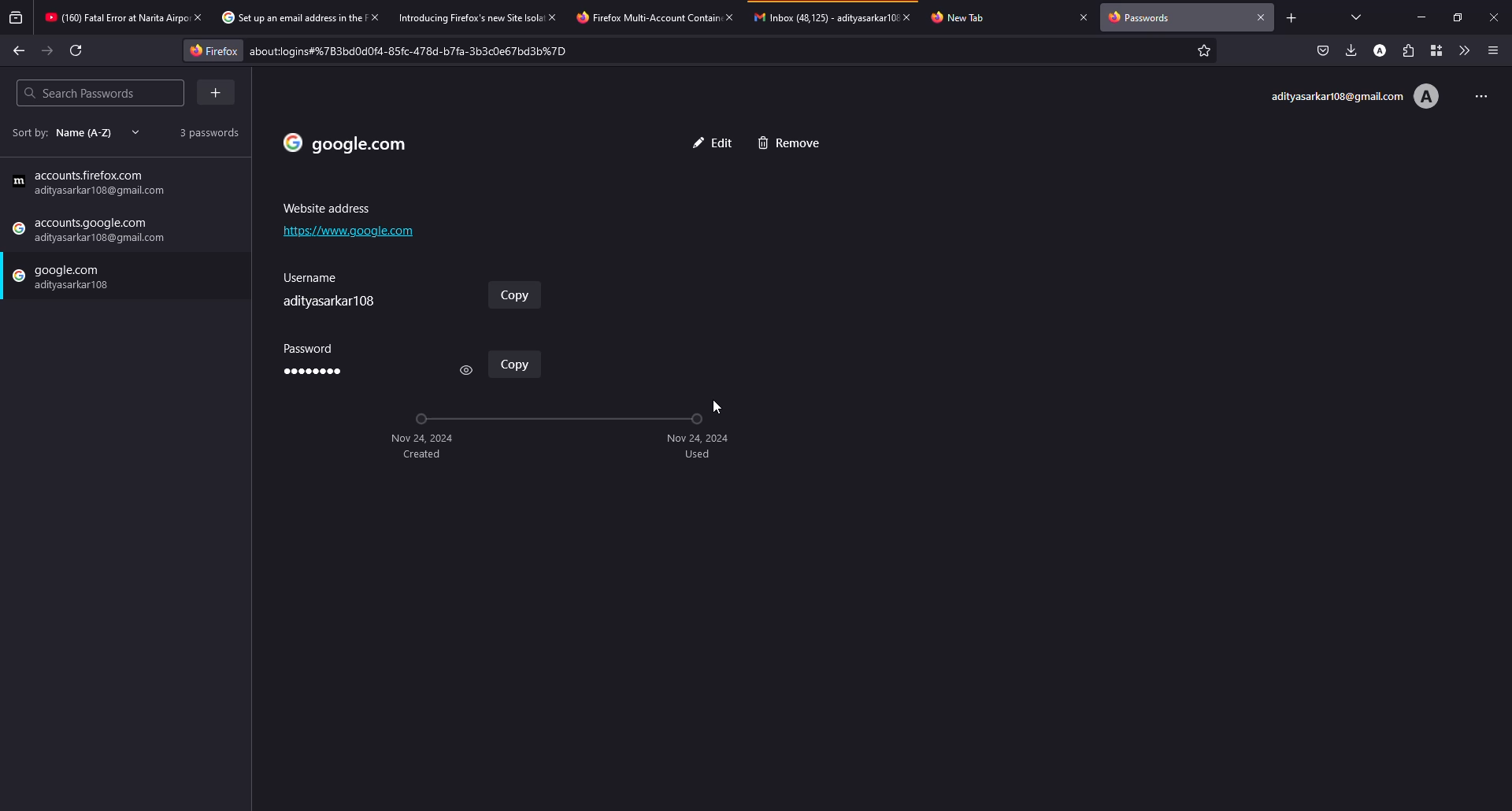 This screenshot has width=1512, height=811. I want to click on 2 passwords, so click(203, 131).